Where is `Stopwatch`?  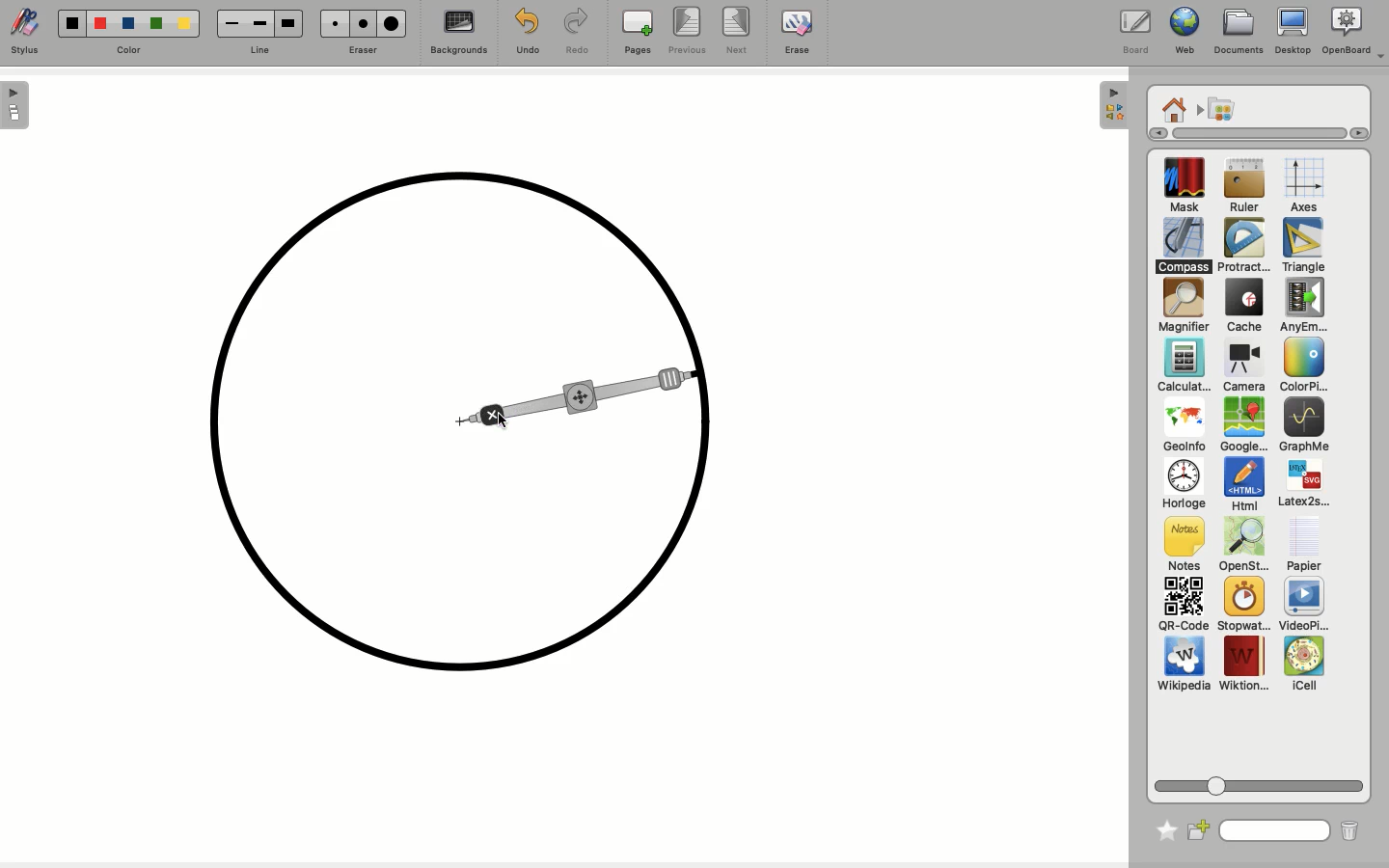
Stopwatch is located at coordinates (1242, 606).